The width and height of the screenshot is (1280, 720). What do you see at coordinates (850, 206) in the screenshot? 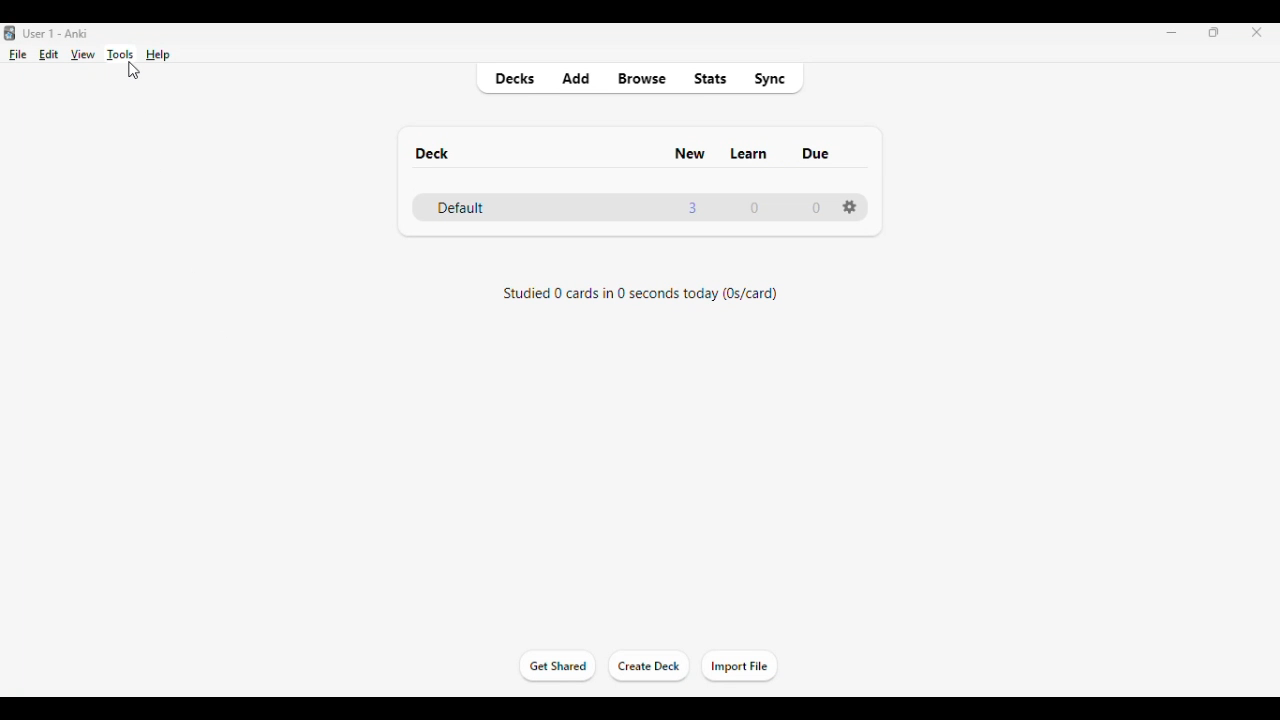
I see `options` at bounding box center [850, 206].